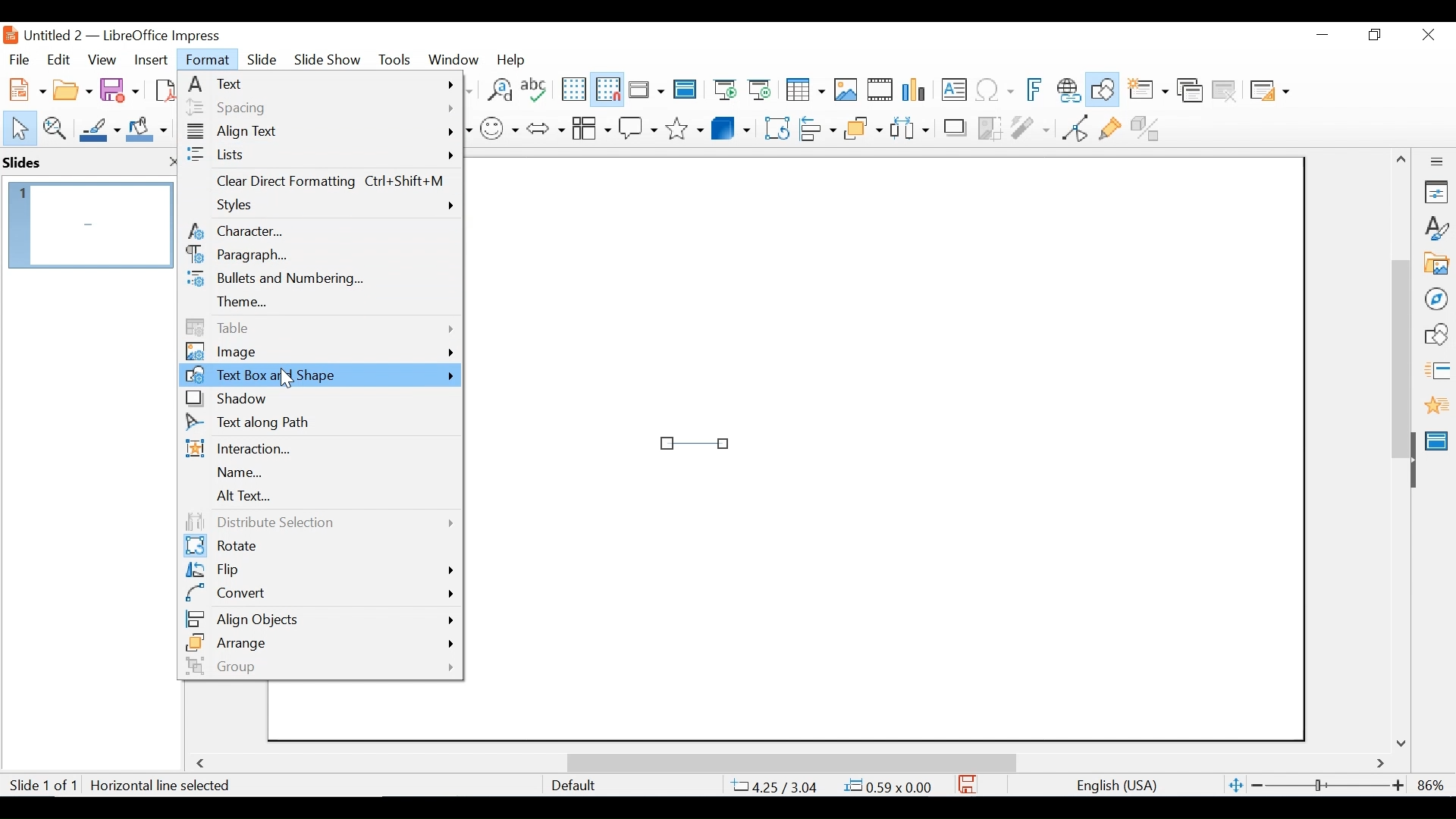  I want to click on Edit, so click(57, 60).